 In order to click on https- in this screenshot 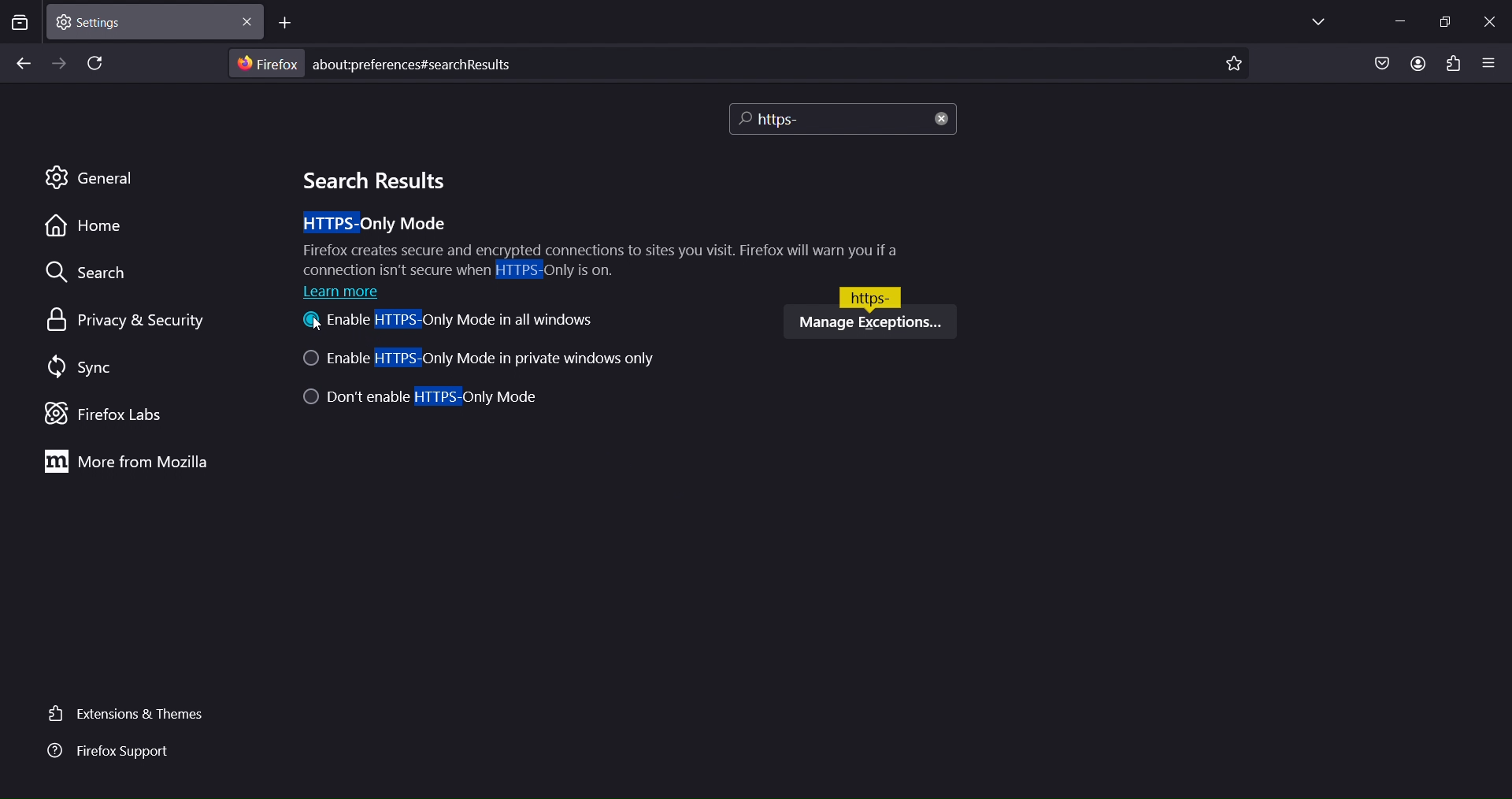, I will do `click(812, 118)`.